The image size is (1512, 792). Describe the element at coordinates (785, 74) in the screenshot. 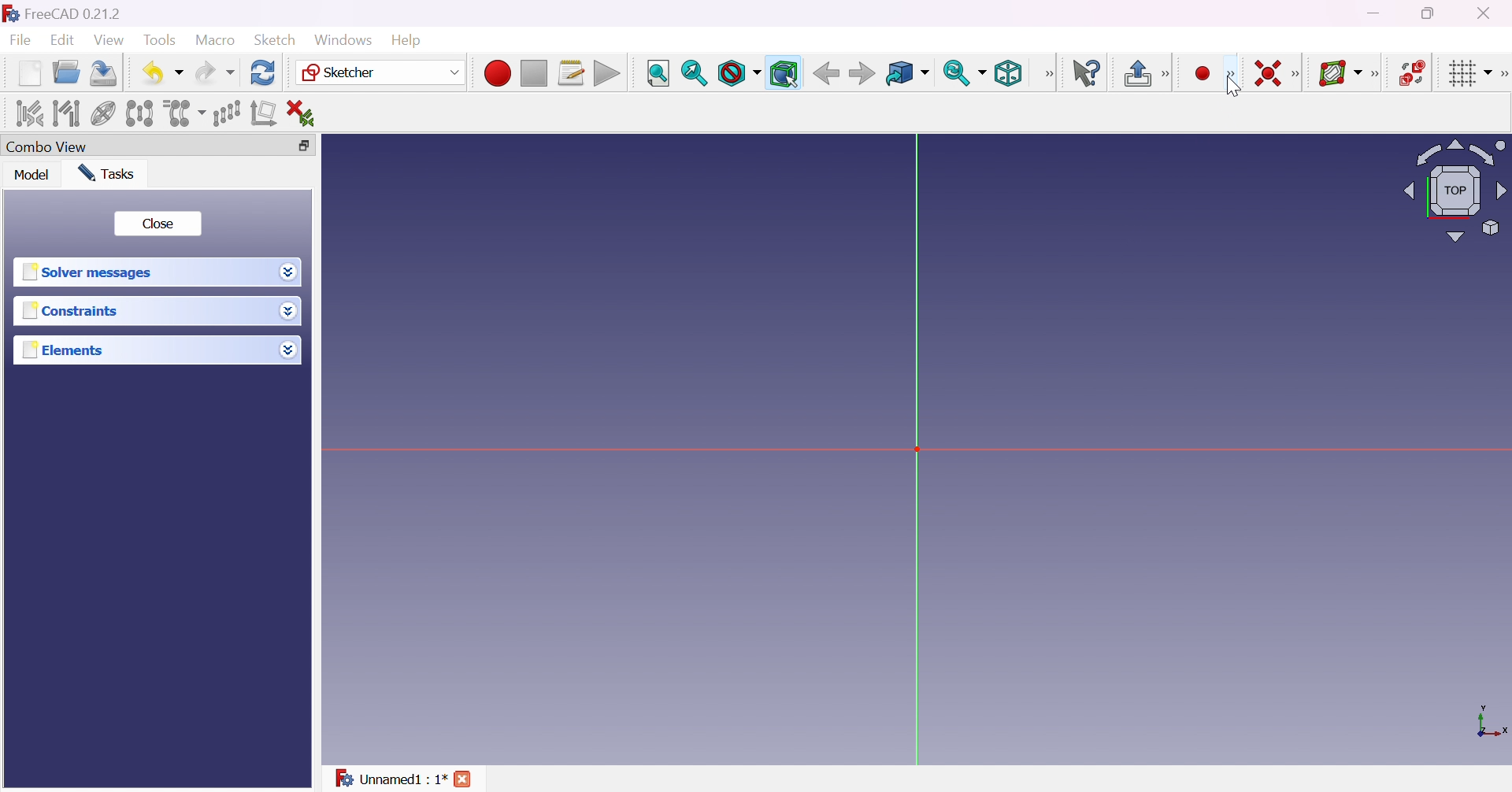

I see `Bounding box` at that location.